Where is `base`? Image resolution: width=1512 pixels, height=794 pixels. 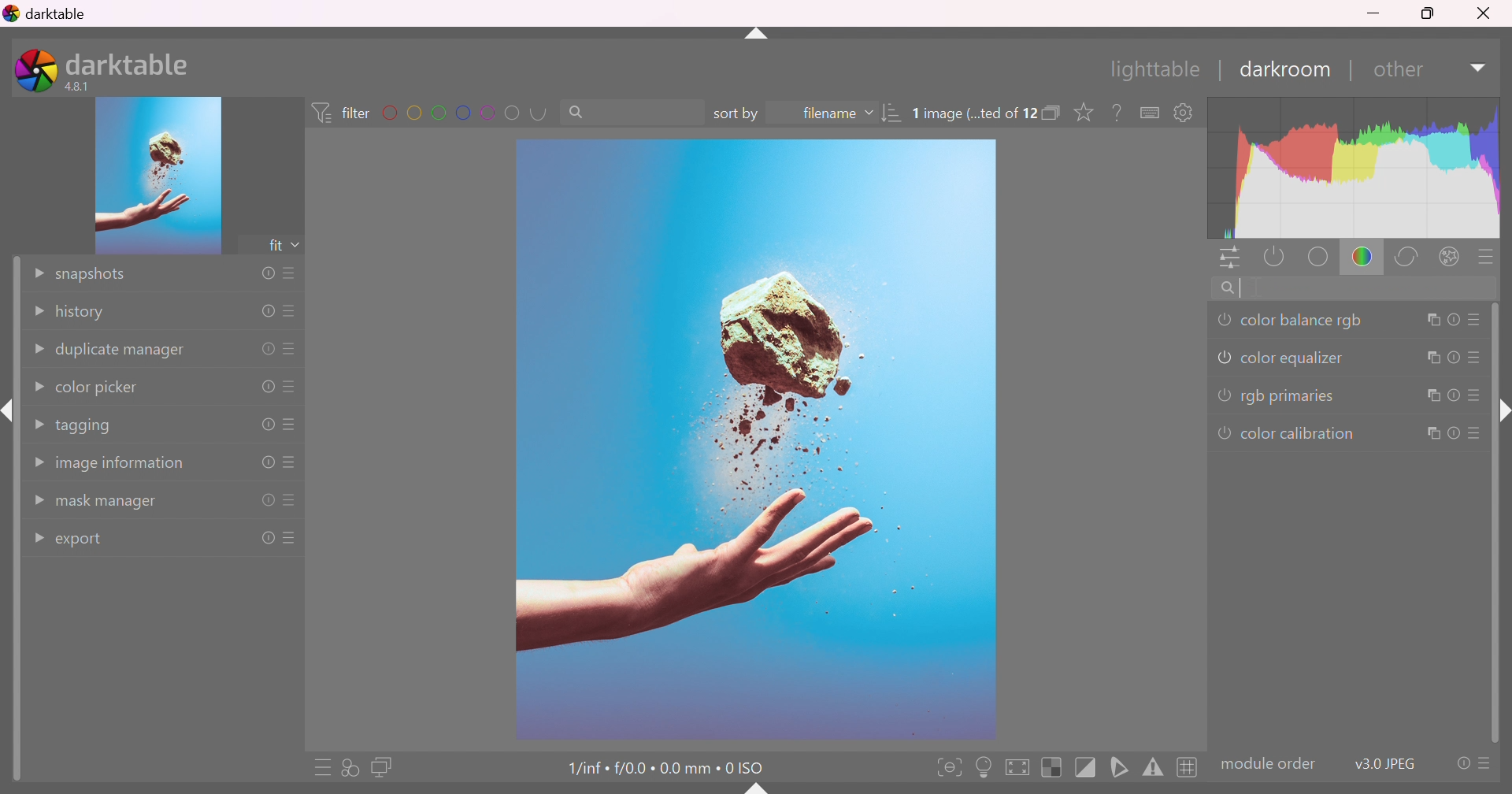 base is located at coordinates (1320, 258).